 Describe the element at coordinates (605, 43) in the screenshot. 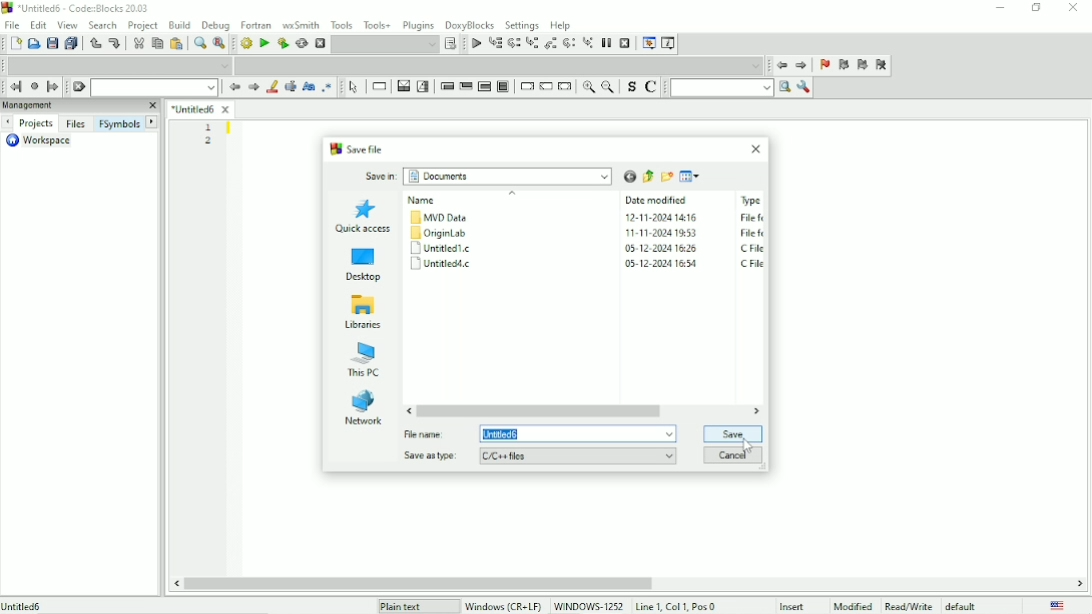

I see `Break debugger` at that location.